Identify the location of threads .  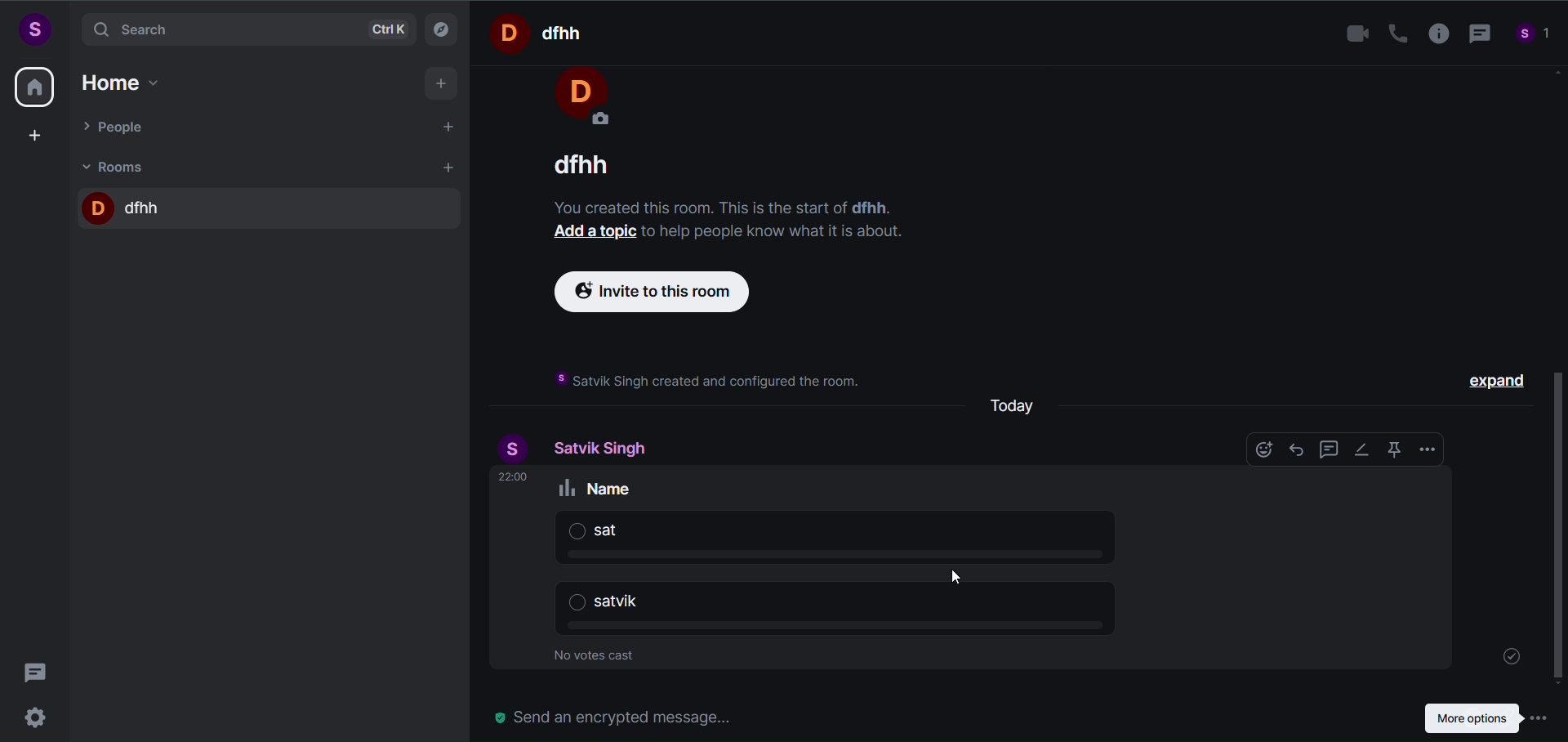
(36, 668).